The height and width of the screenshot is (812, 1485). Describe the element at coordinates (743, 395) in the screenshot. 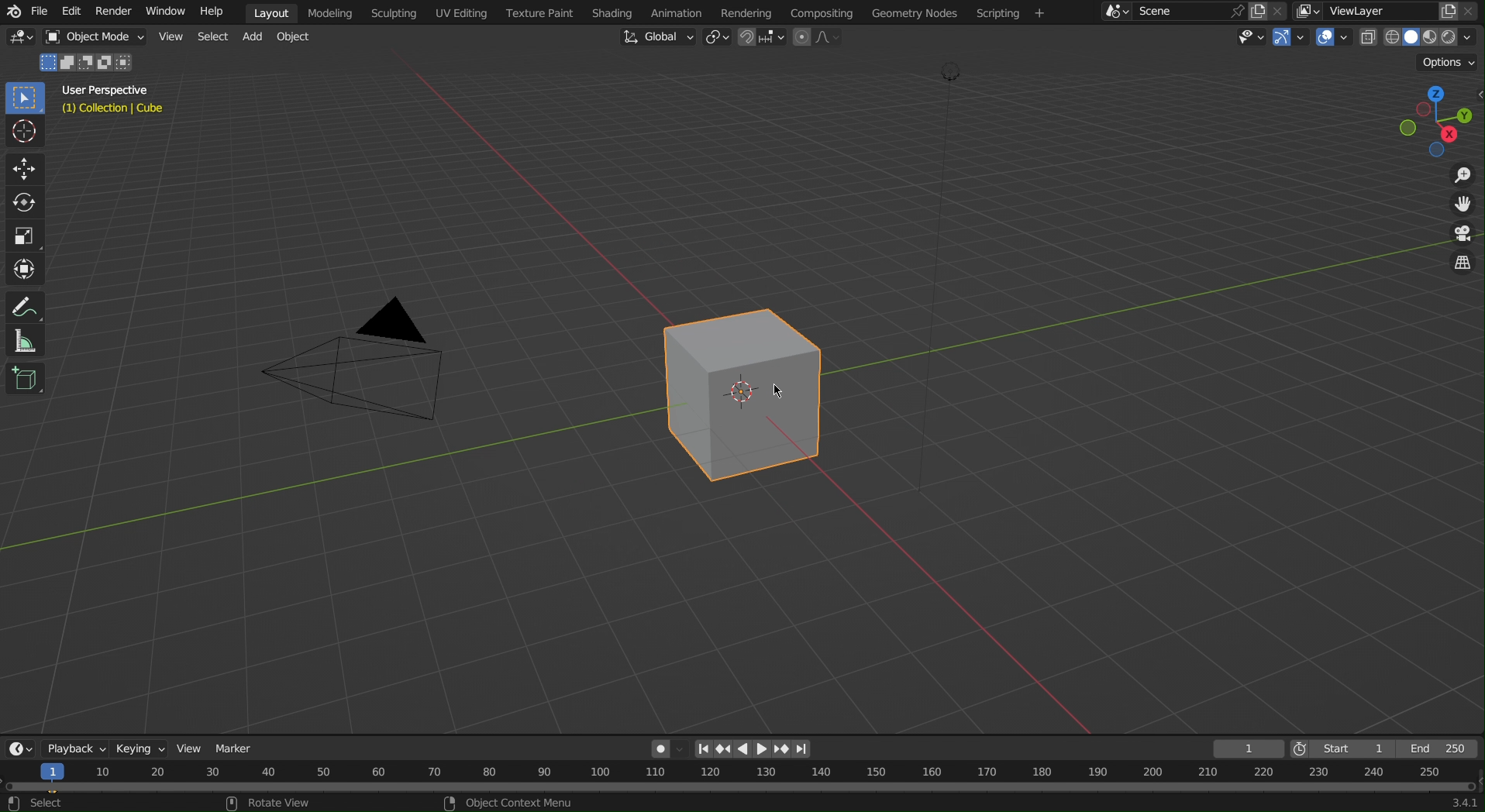

I see `Cube (Keyframe Added)` at that location.